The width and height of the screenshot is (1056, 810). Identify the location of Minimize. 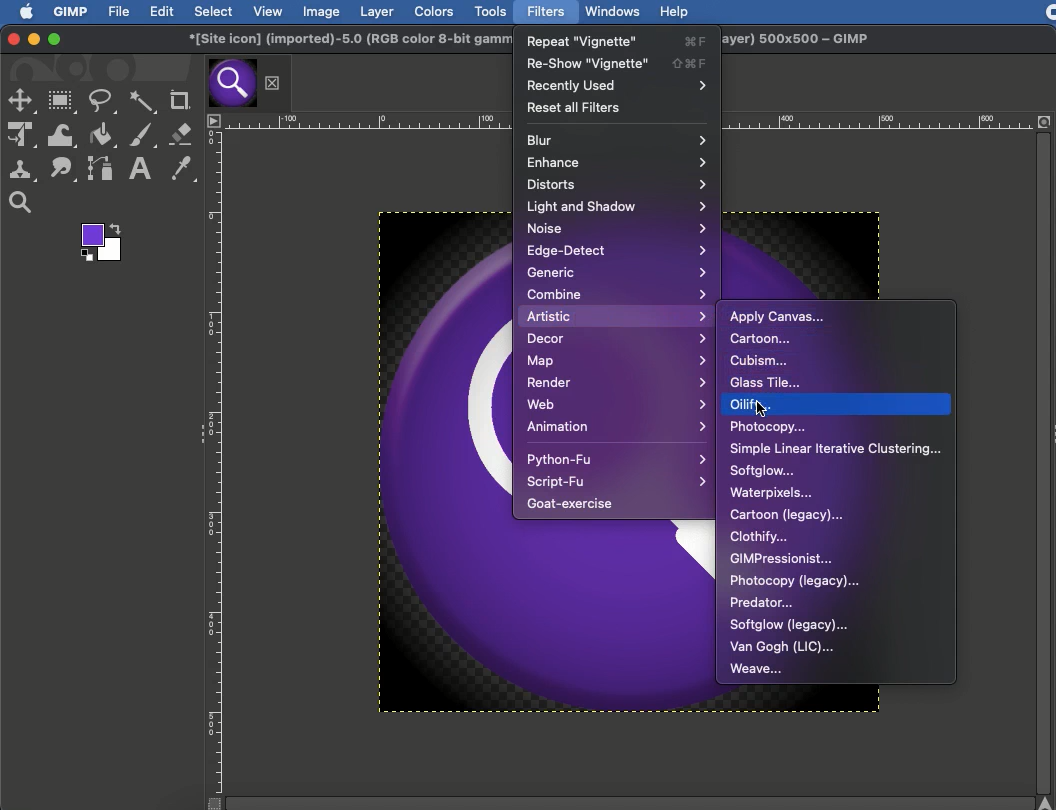
(33, 39).